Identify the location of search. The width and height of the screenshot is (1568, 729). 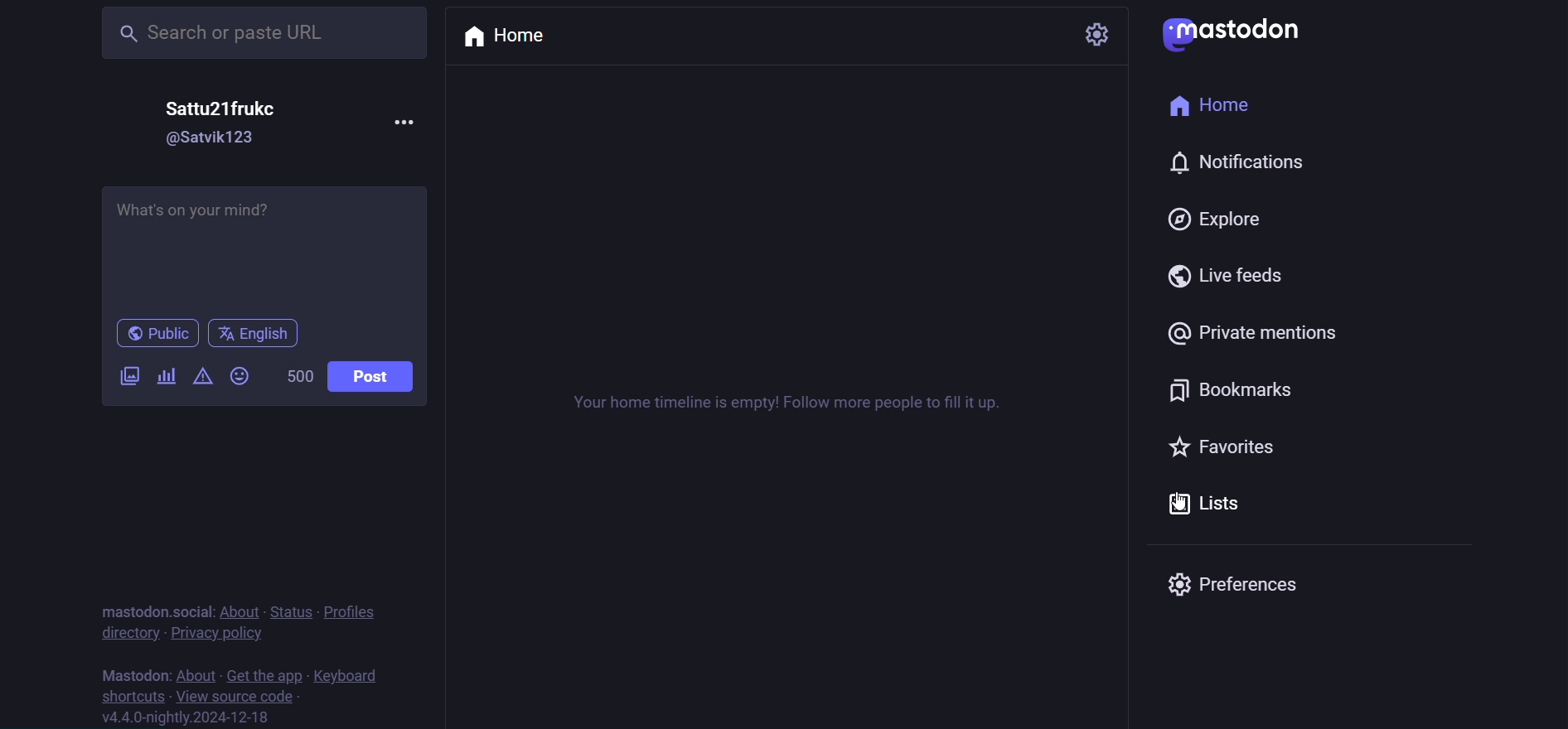
(264, 33).